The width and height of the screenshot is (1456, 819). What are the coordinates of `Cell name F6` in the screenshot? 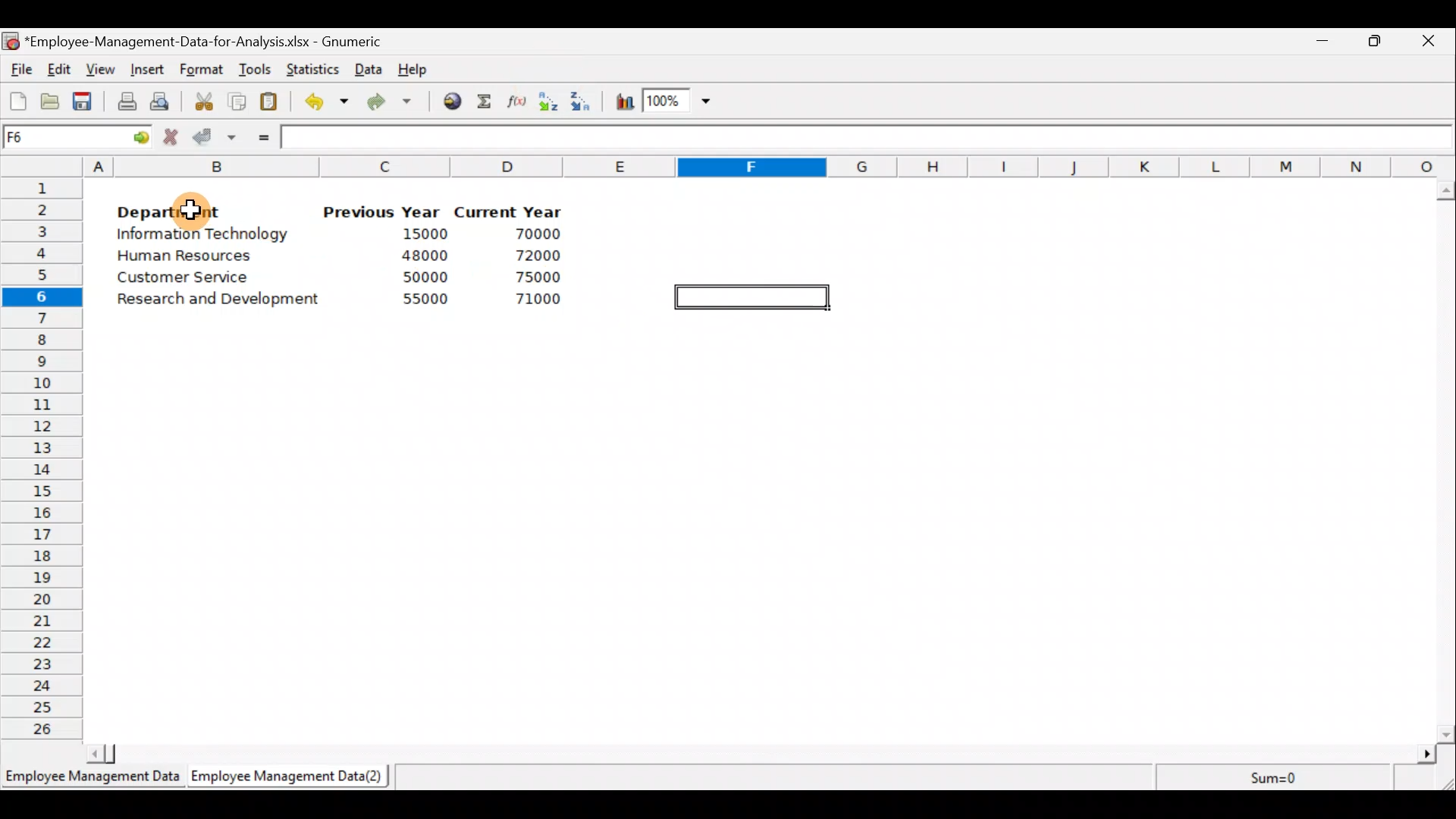 It's located at (58, 137).